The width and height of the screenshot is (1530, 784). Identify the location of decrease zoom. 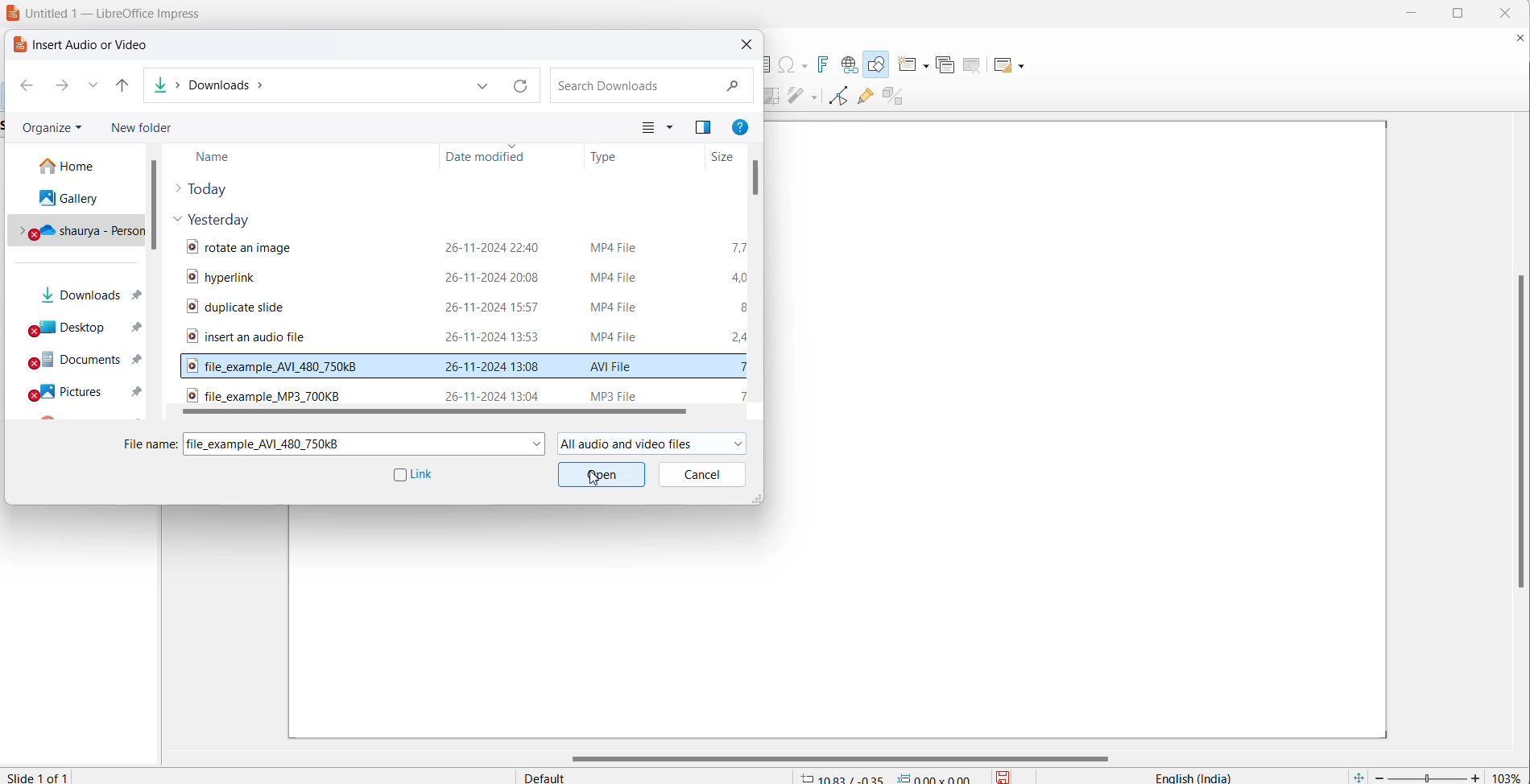
(1378, 776).